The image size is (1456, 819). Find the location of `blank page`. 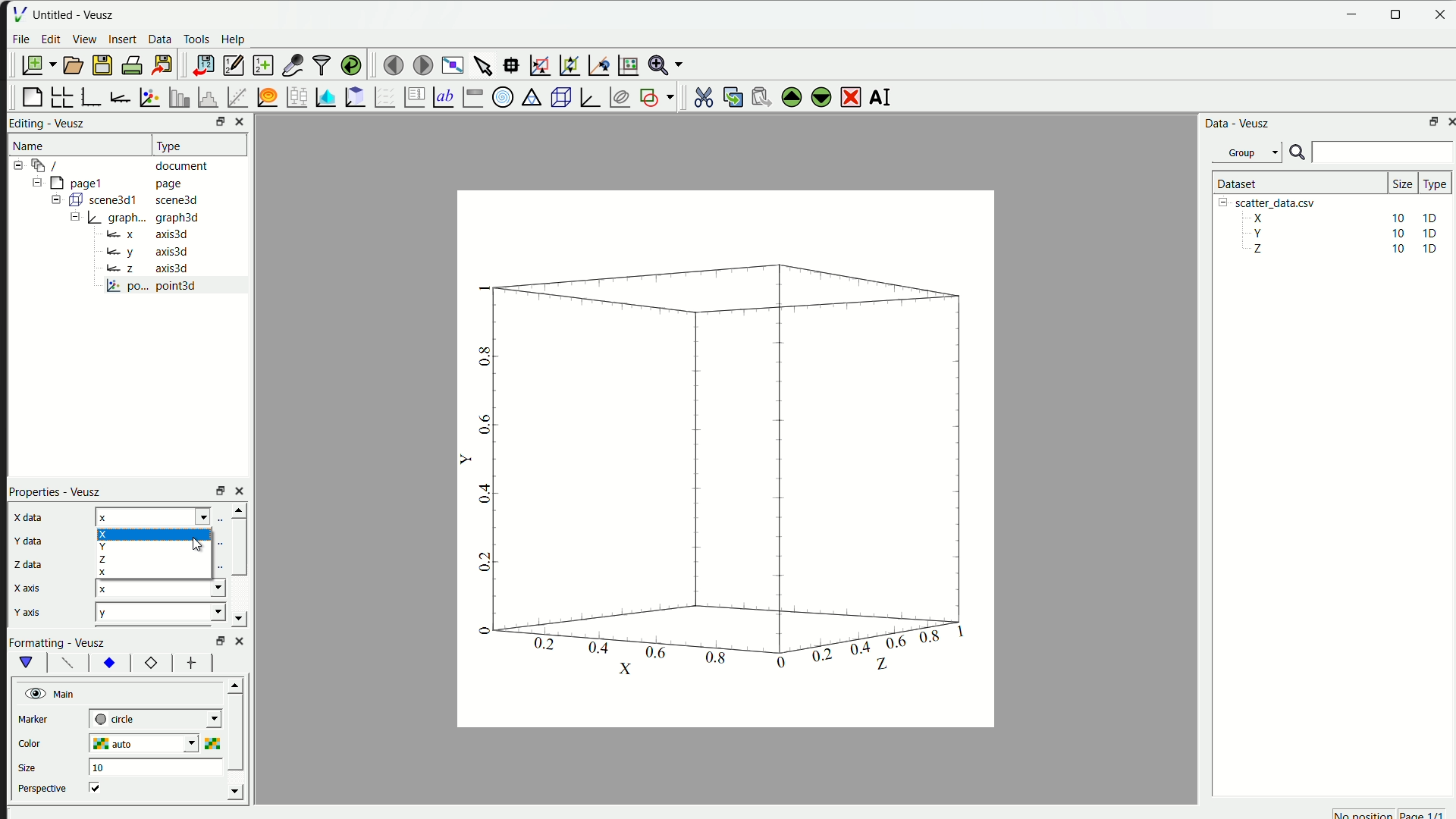

blank page is located at coordinates (28, 98).